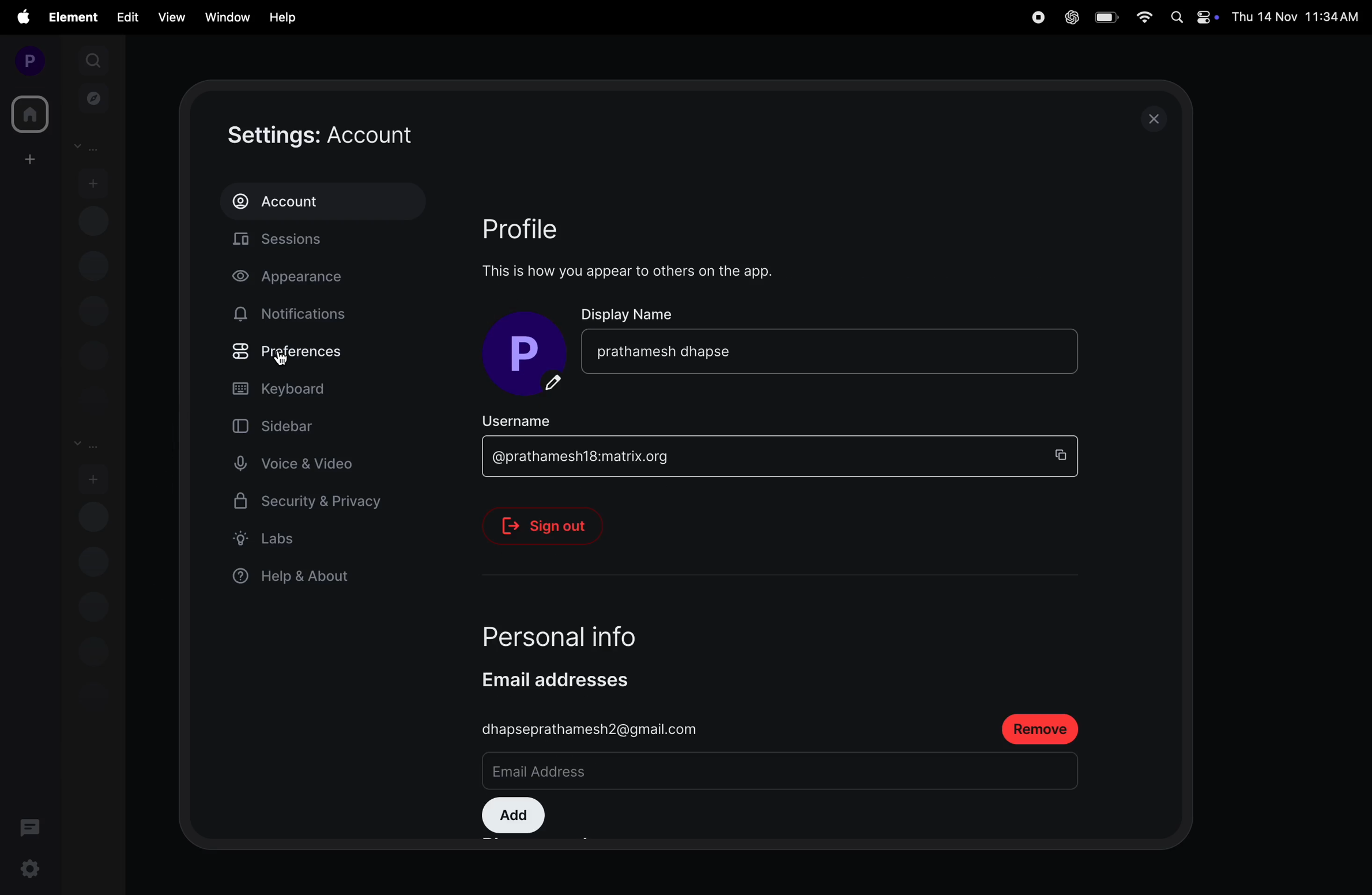  What do you see at coordinates (31, 825) in the screenshot?
I see `threads` at bounding box center [31, 825].